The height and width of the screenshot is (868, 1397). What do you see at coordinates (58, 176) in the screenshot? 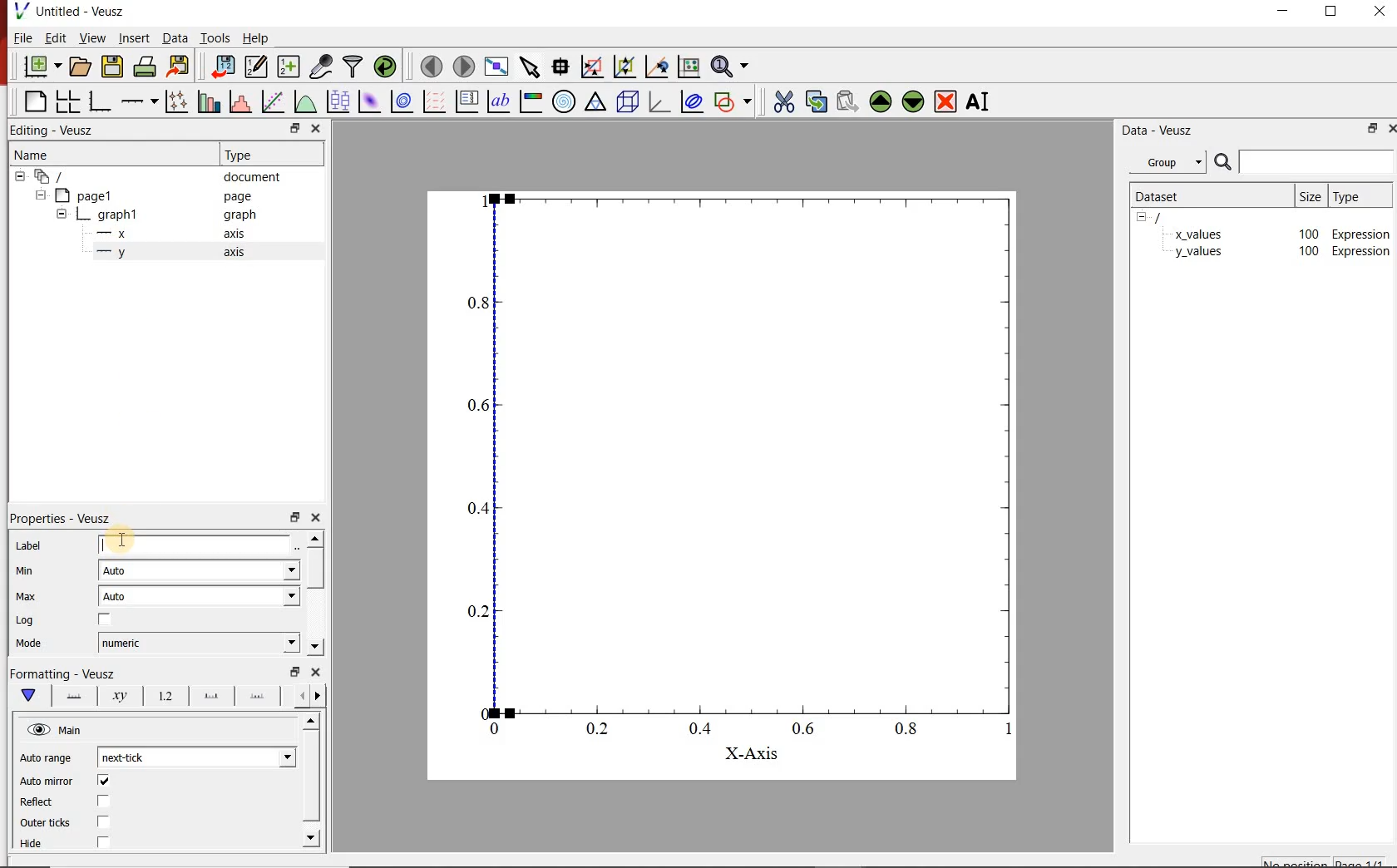
I see `all apegs` at bounding box center [58, 176].